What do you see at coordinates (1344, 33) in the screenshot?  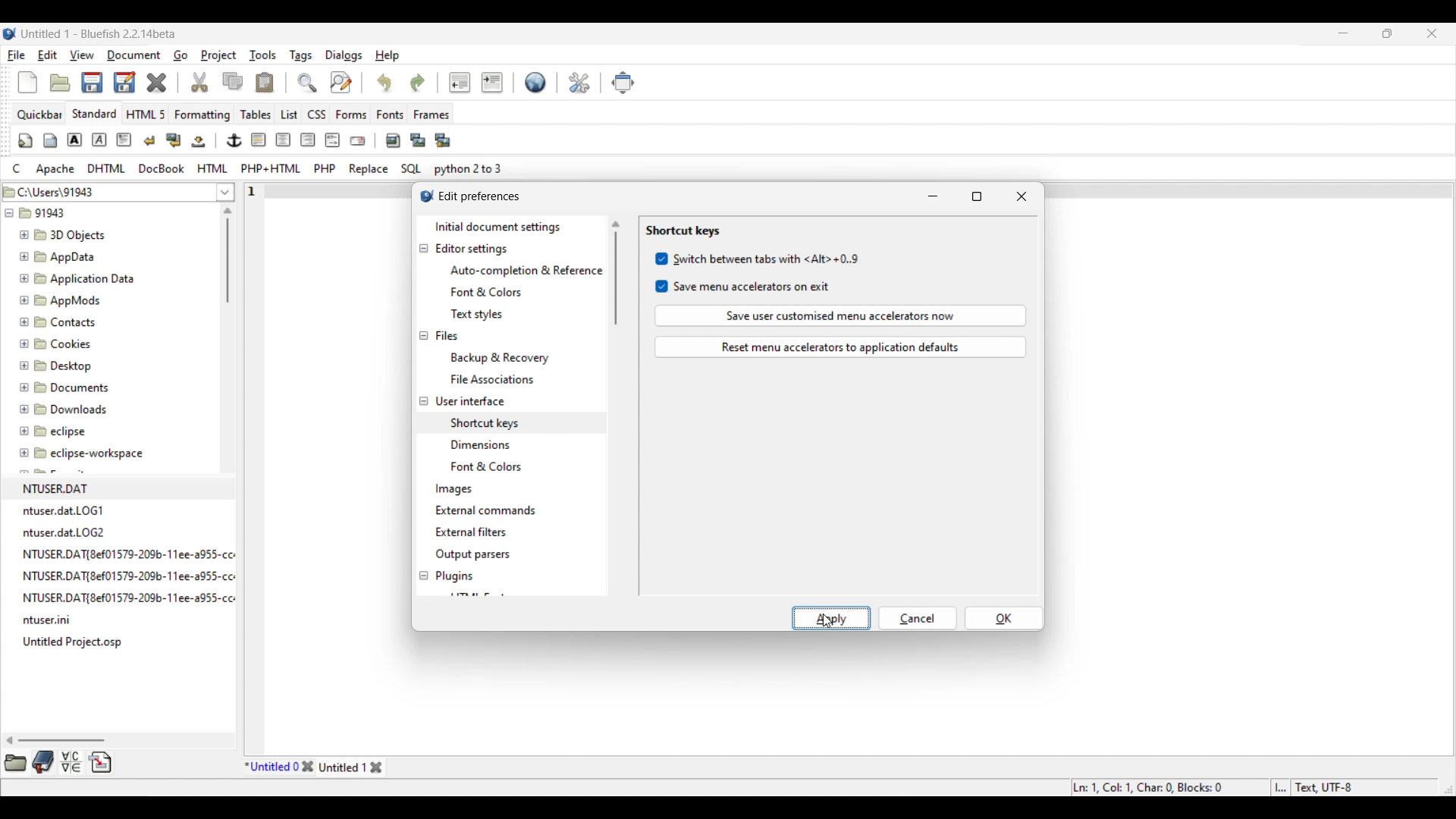 I see `Minimize` at bounding box center [1344, 33].